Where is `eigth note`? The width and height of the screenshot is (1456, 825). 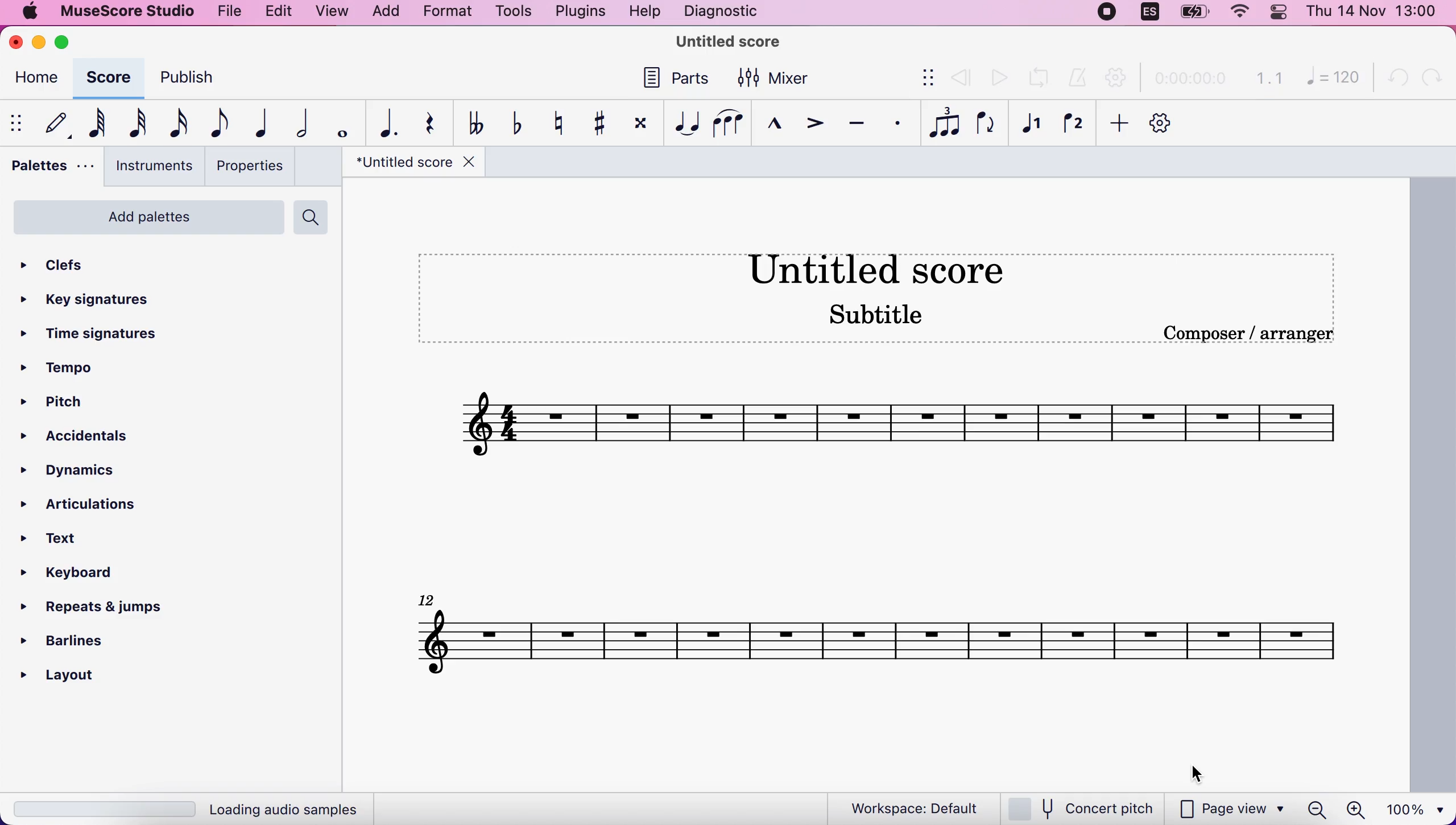
eigth note is located at coordinates (220, 123).